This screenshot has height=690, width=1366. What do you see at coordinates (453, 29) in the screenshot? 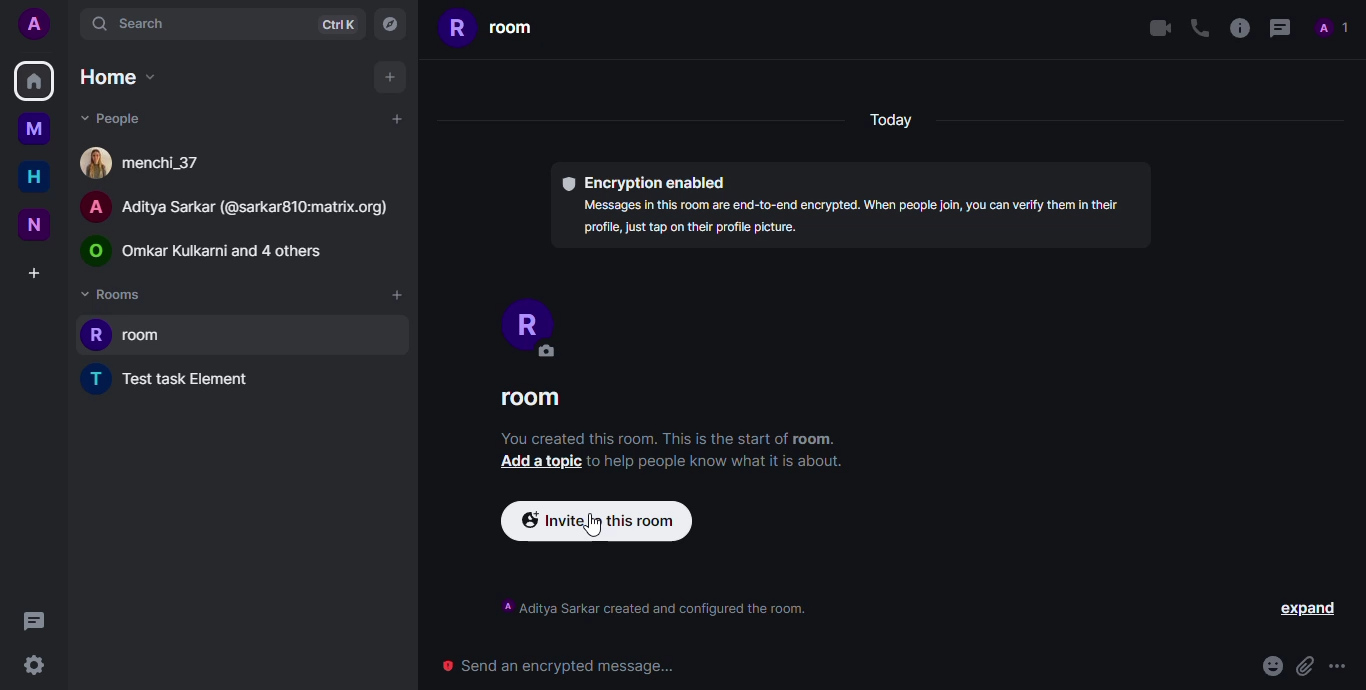
I see `R` at bounding box center [453, 29].